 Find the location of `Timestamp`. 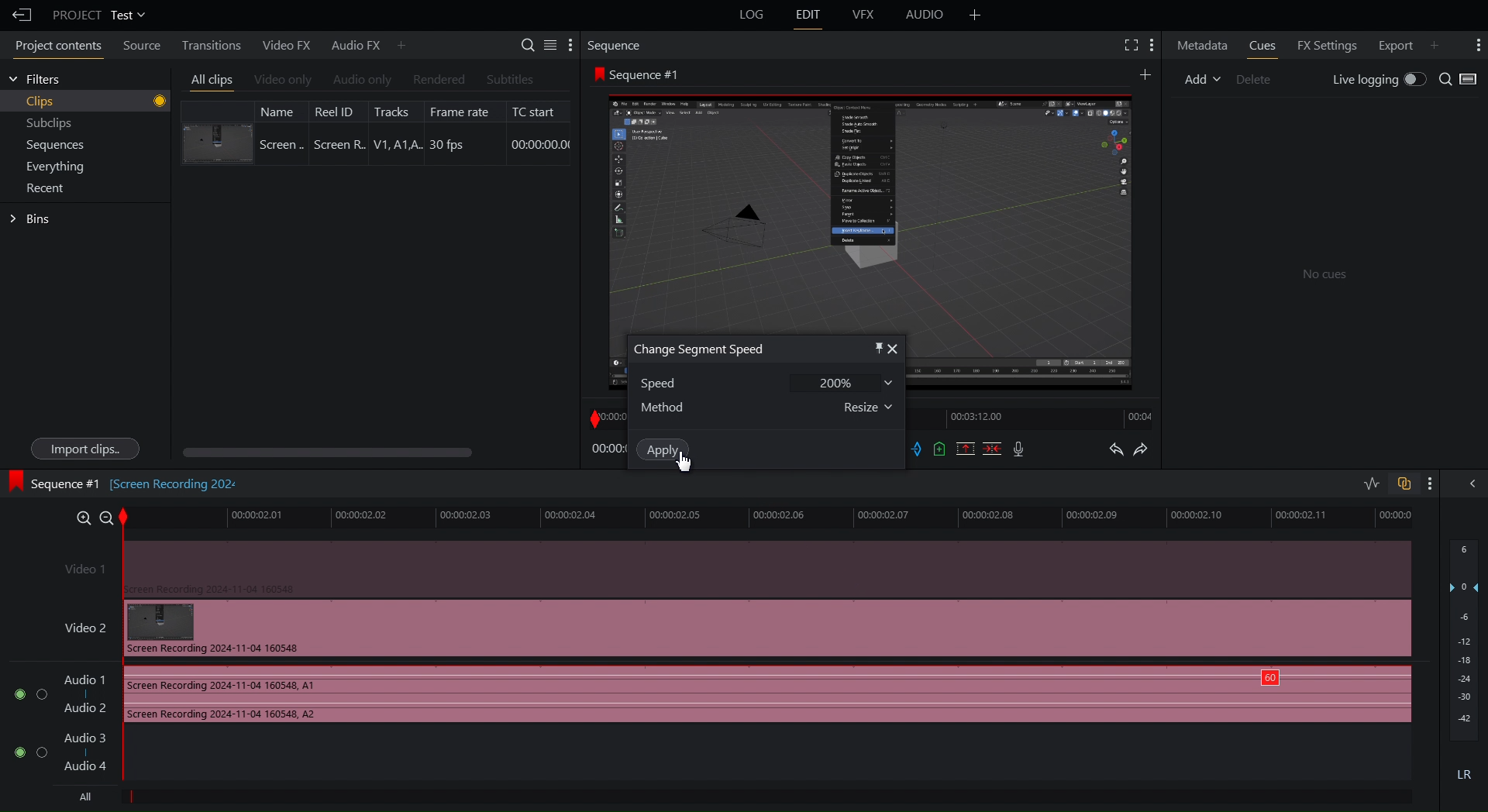

Timestamp is located at coordinates (608, 449).